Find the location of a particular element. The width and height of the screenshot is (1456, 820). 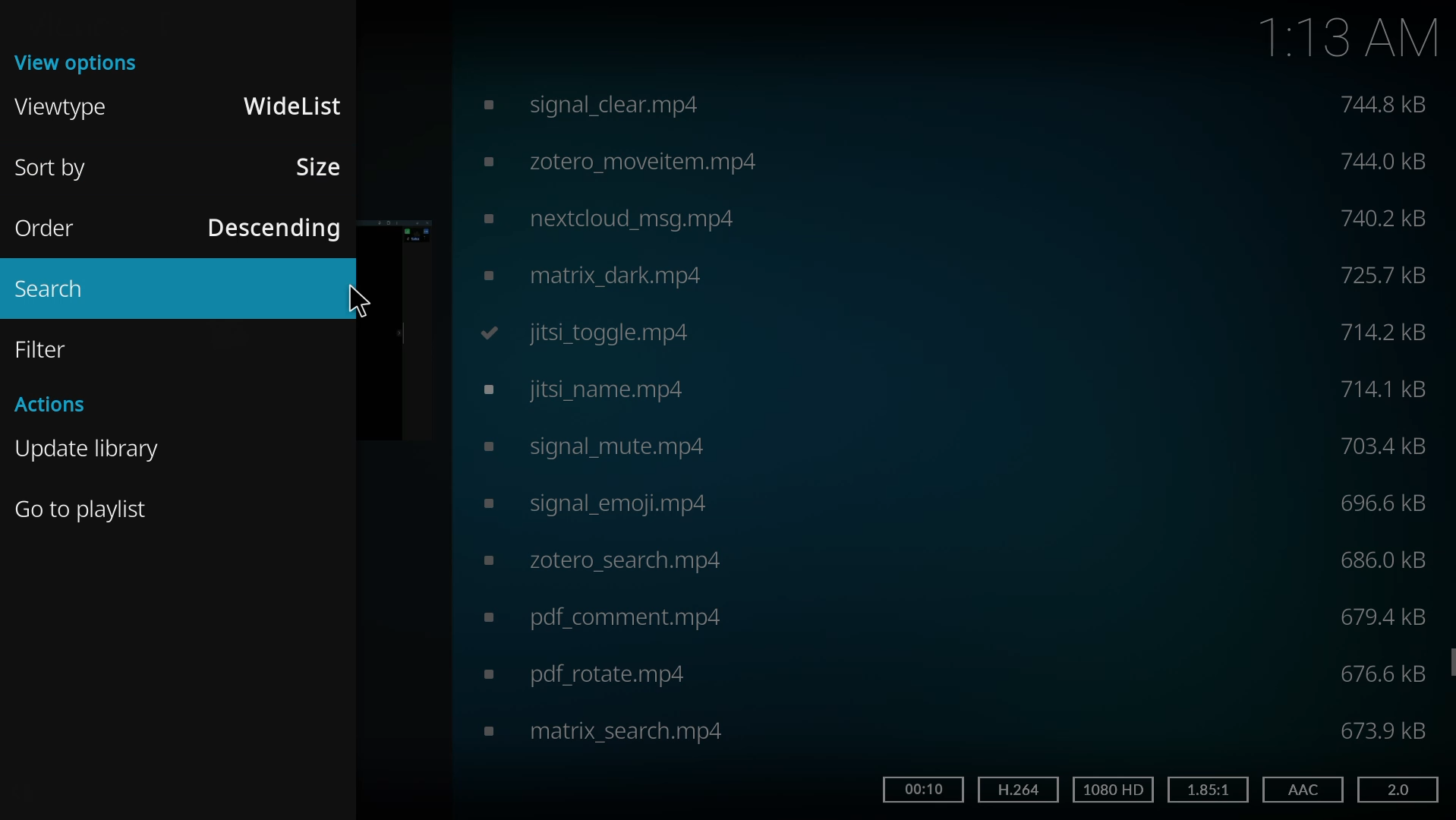

sort by is located at coordinates (64, 170).